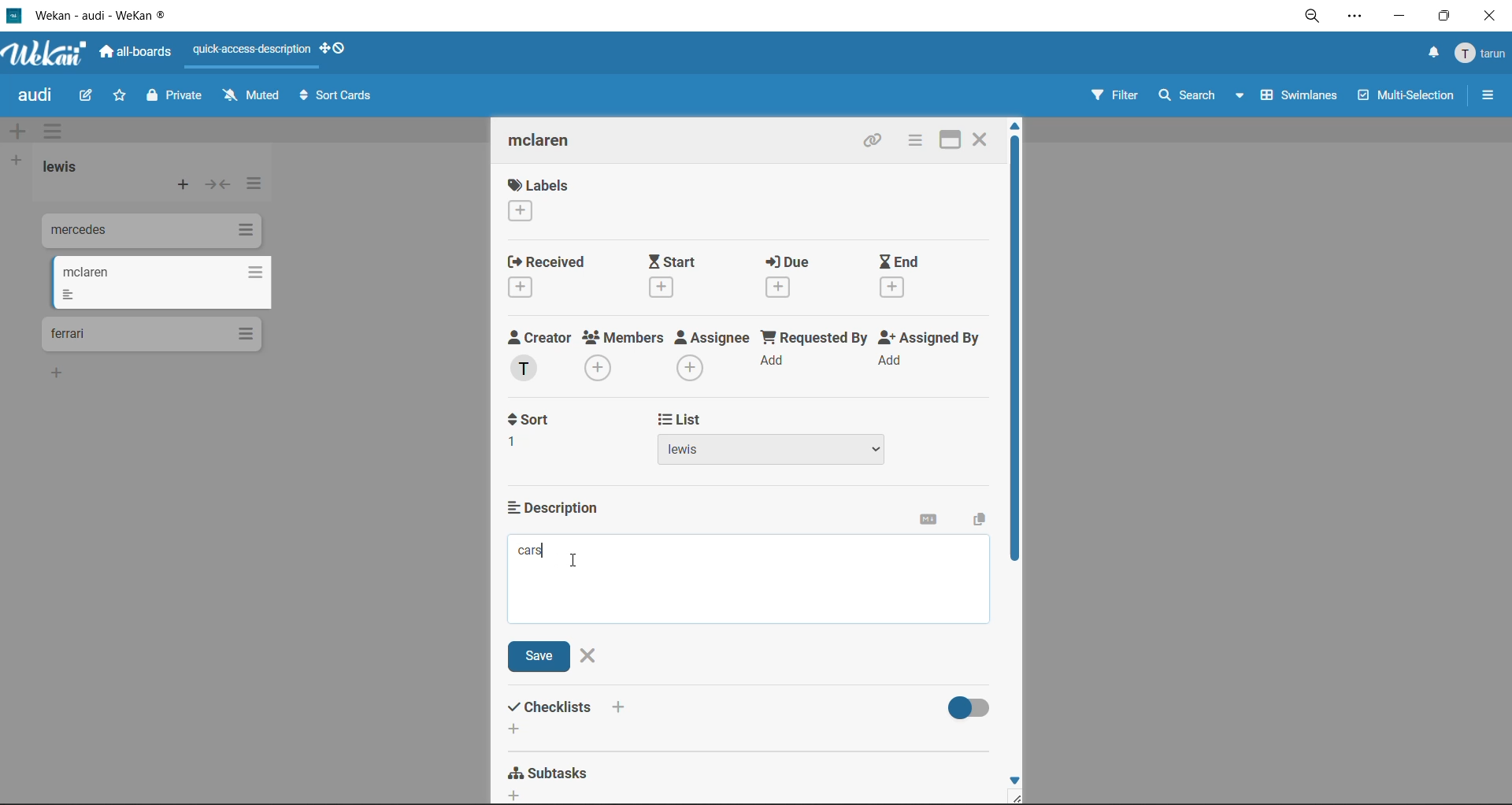 The image size is (1512, 805). What do you see at coordinates (1482, 54) in the screenshot?
I see `menu` at bounding box center [1482, 54].